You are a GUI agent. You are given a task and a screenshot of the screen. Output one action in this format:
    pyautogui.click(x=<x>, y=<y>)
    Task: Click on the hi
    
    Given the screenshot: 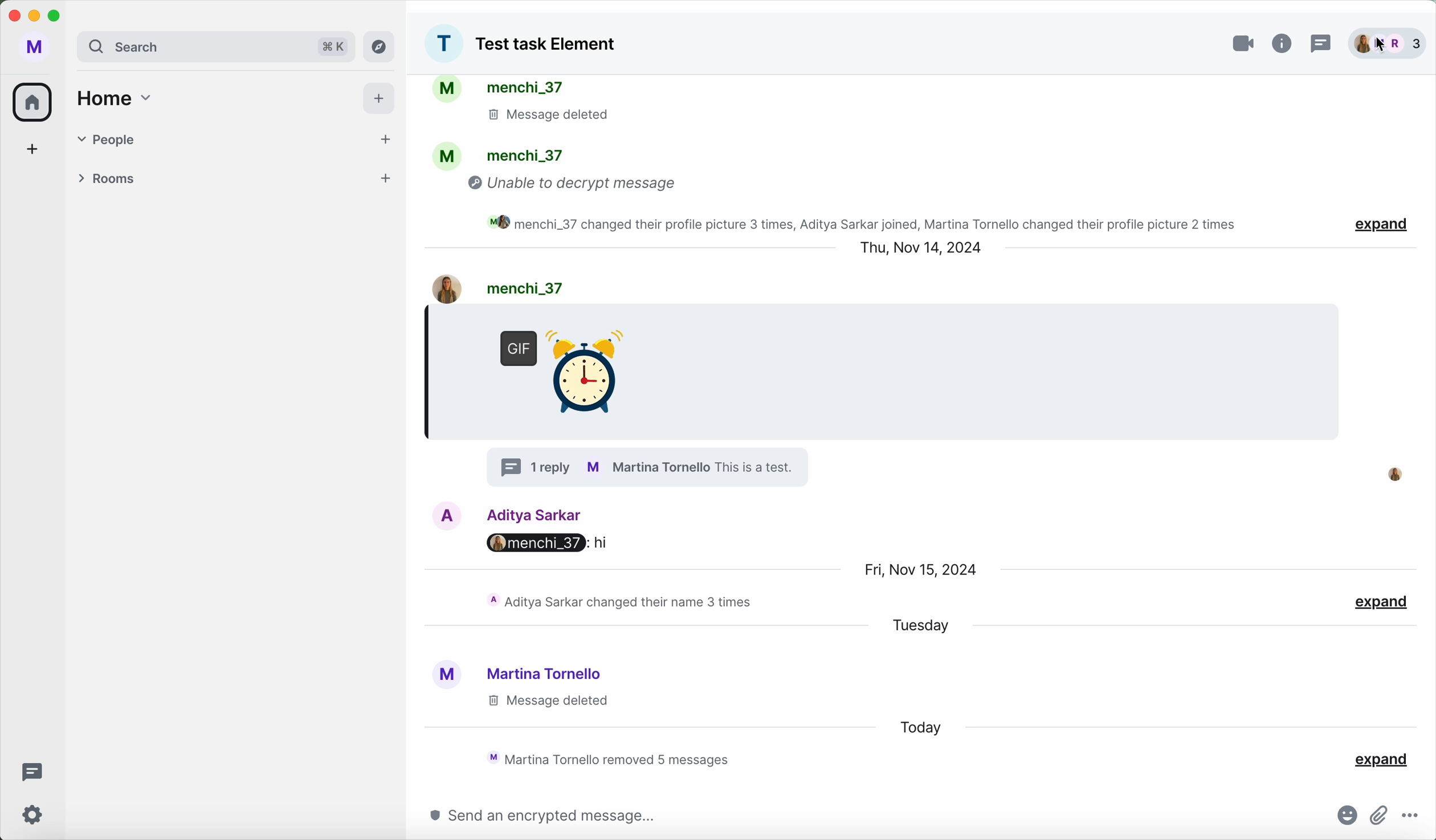 What is the action you would take?
    pyautogui.click(x=605, y=545)
    